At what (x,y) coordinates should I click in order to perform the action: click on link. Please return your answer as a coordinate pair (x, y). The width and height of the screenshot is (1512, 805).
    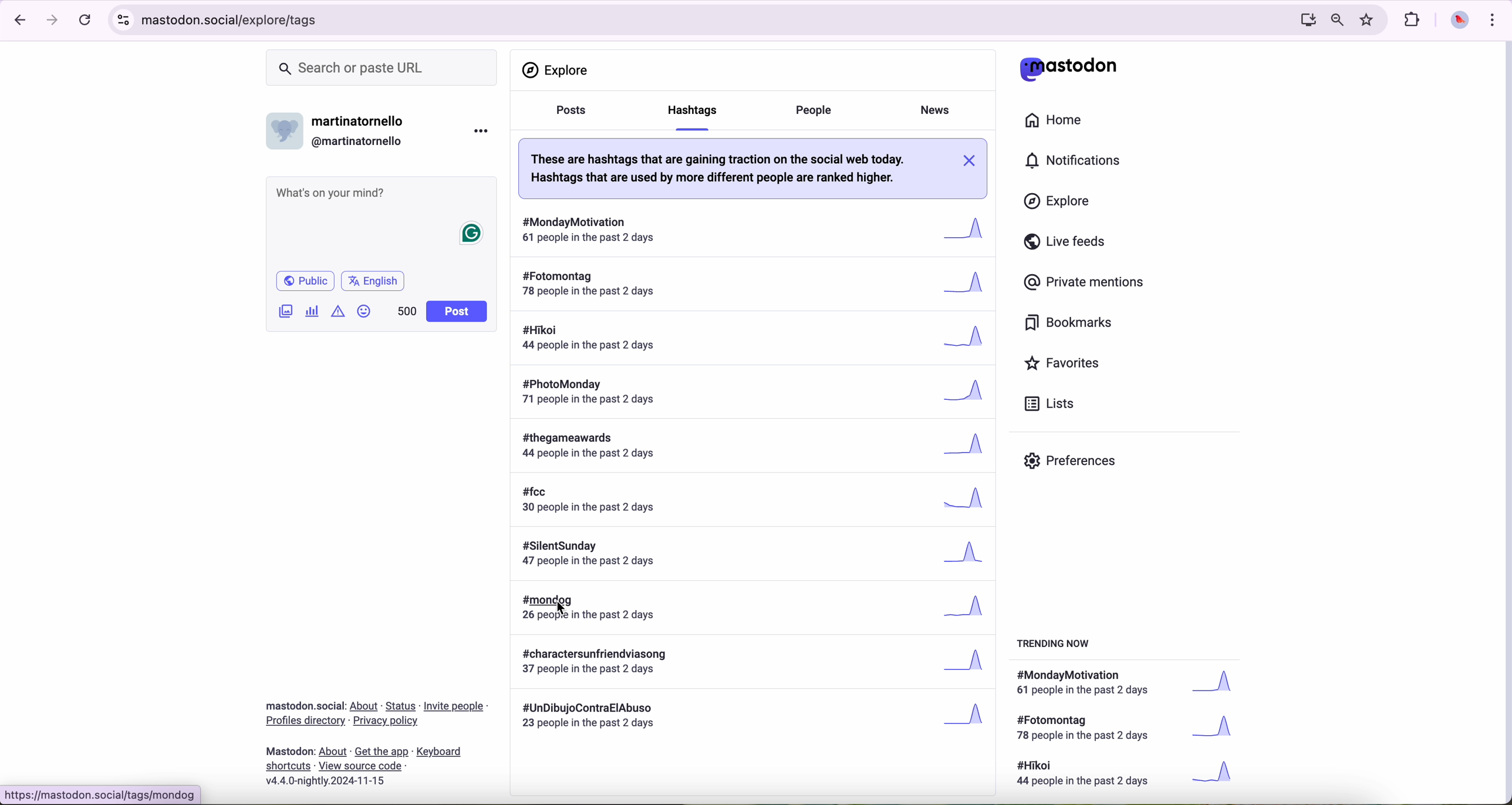
    Looking at the image, I should click on (382, 753).